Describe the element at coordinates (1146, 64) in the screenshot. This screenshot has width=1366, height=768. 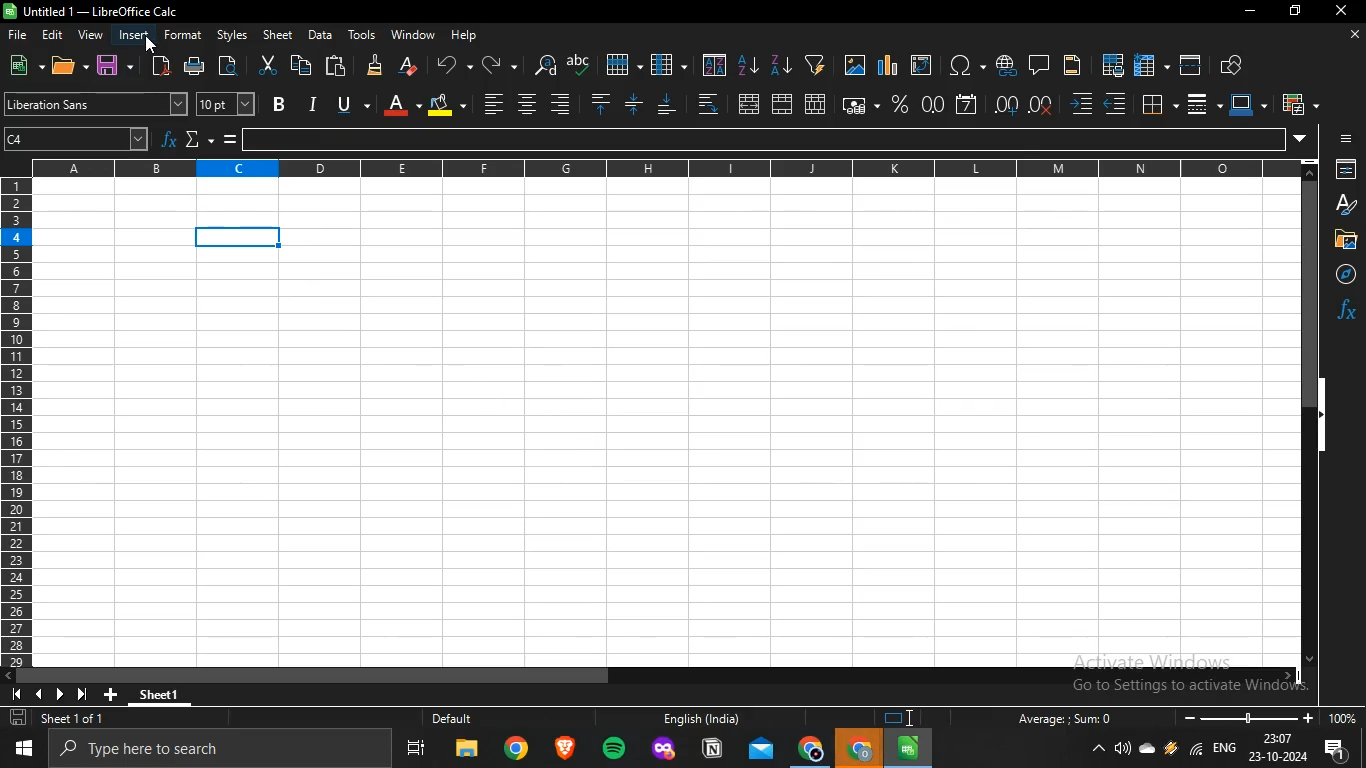
I see `freeze rows and columns` at that location.